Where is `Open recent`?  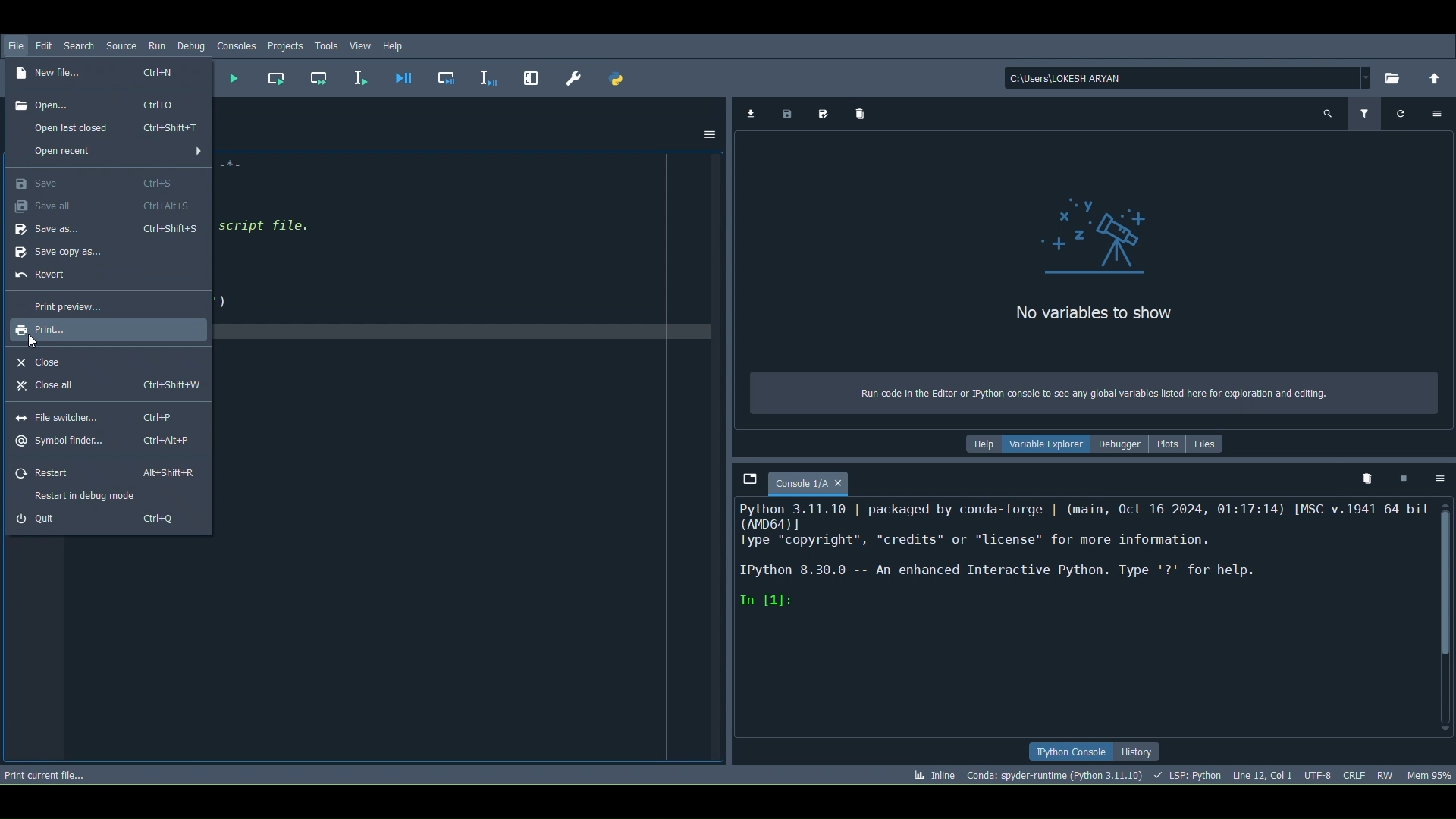
Open recent is located at coordinates (114, 128).